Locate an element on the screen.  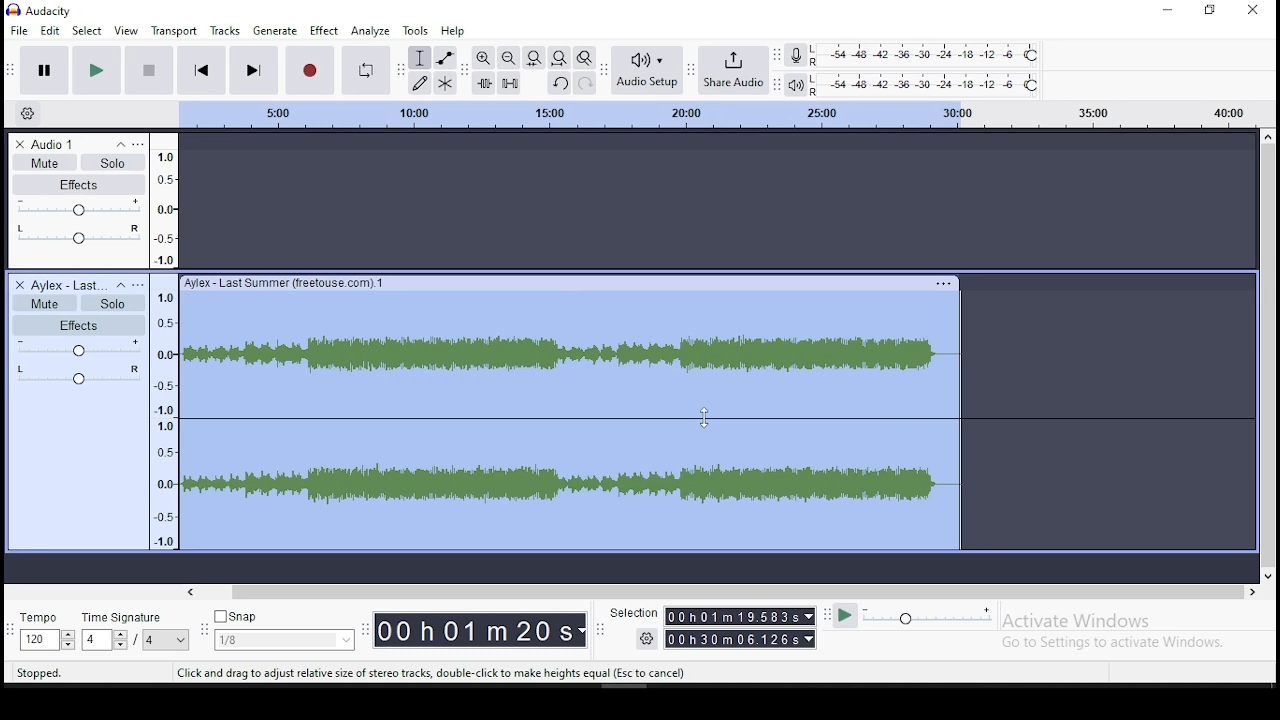
zoom out is located at coordinates (508, 57).